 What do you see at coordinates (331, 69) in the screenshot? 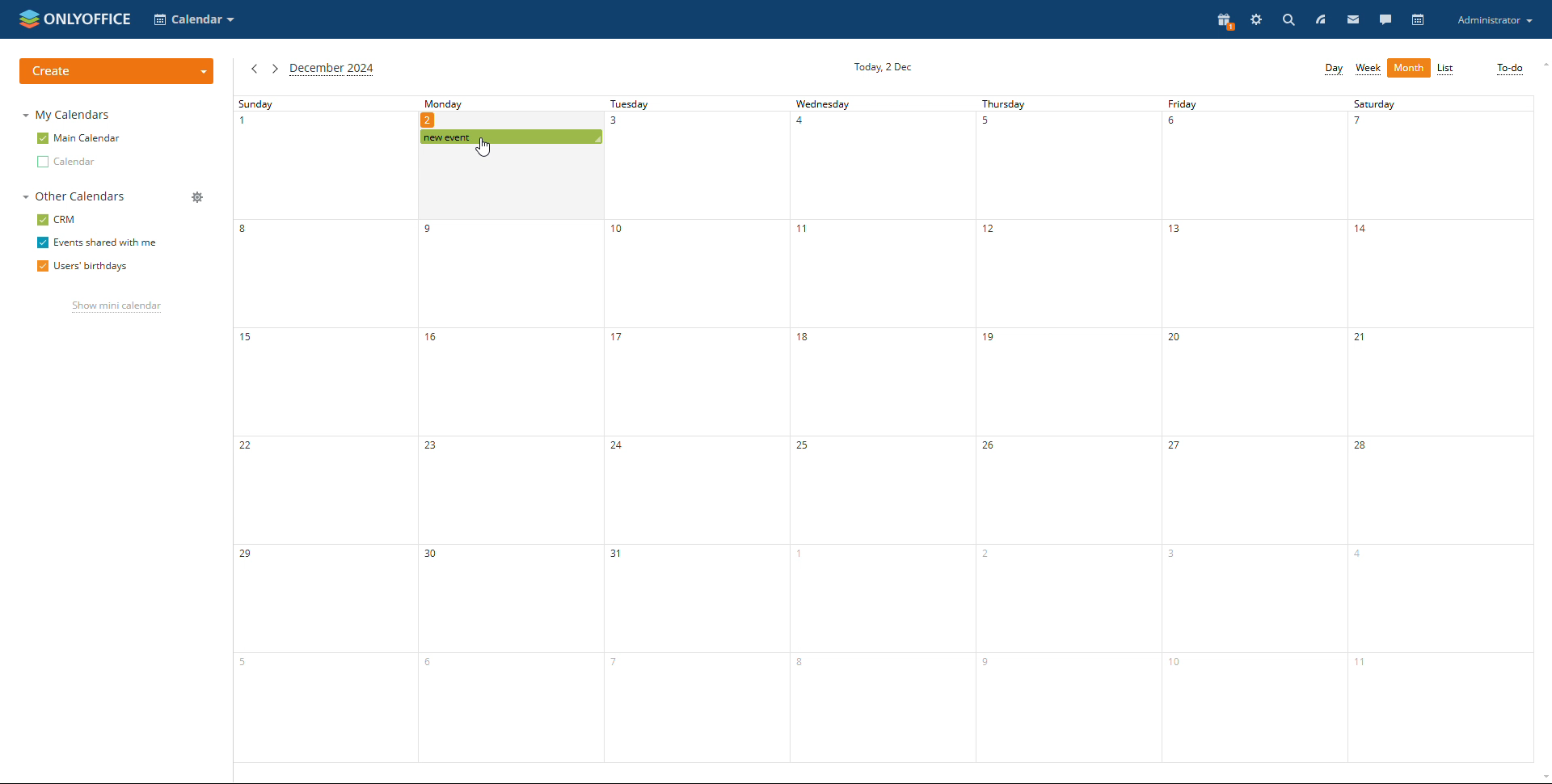
I see `` at bounding box center [331, 69].